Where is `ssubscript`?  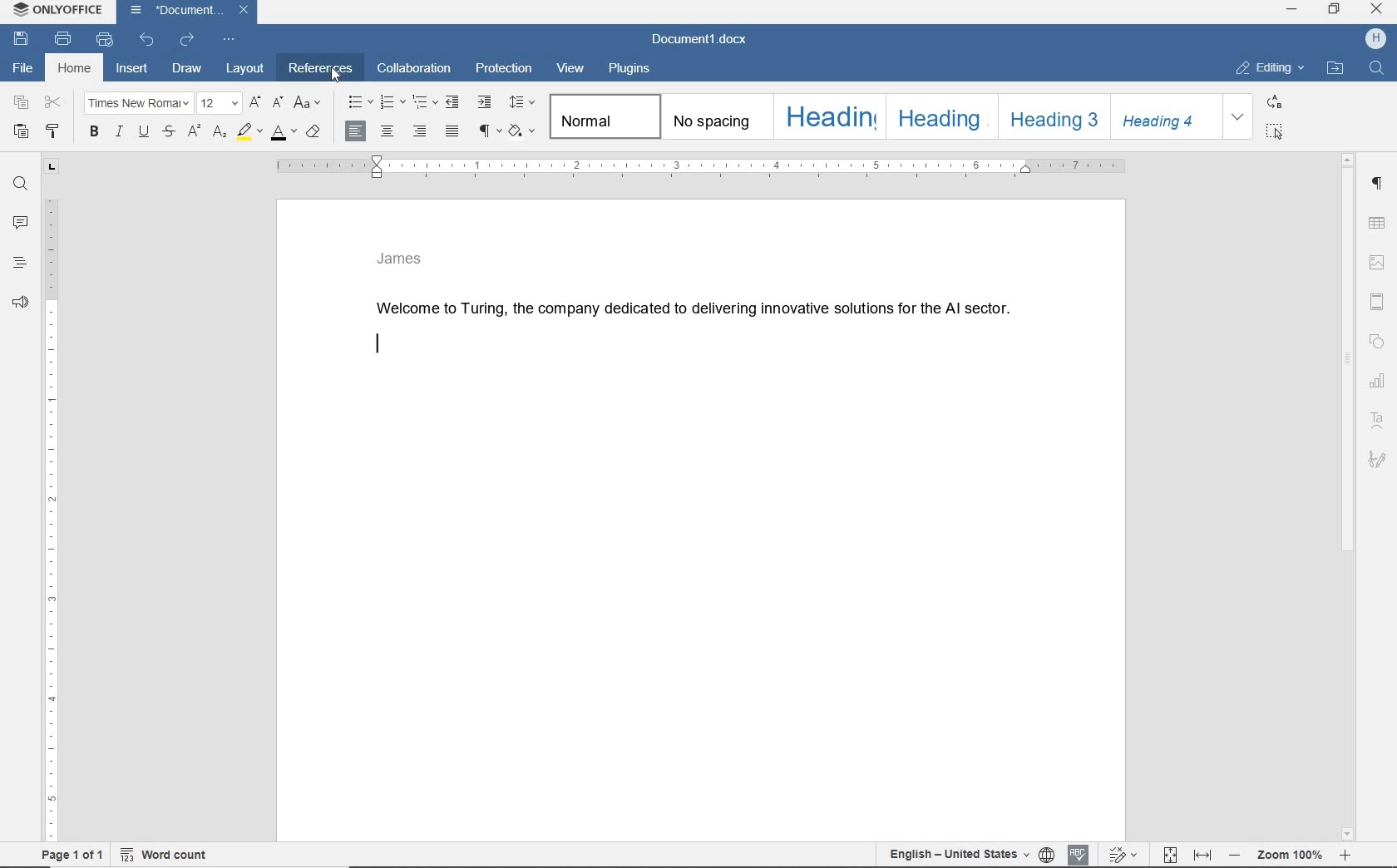 ssubscript is located at coordinates (220, 134).